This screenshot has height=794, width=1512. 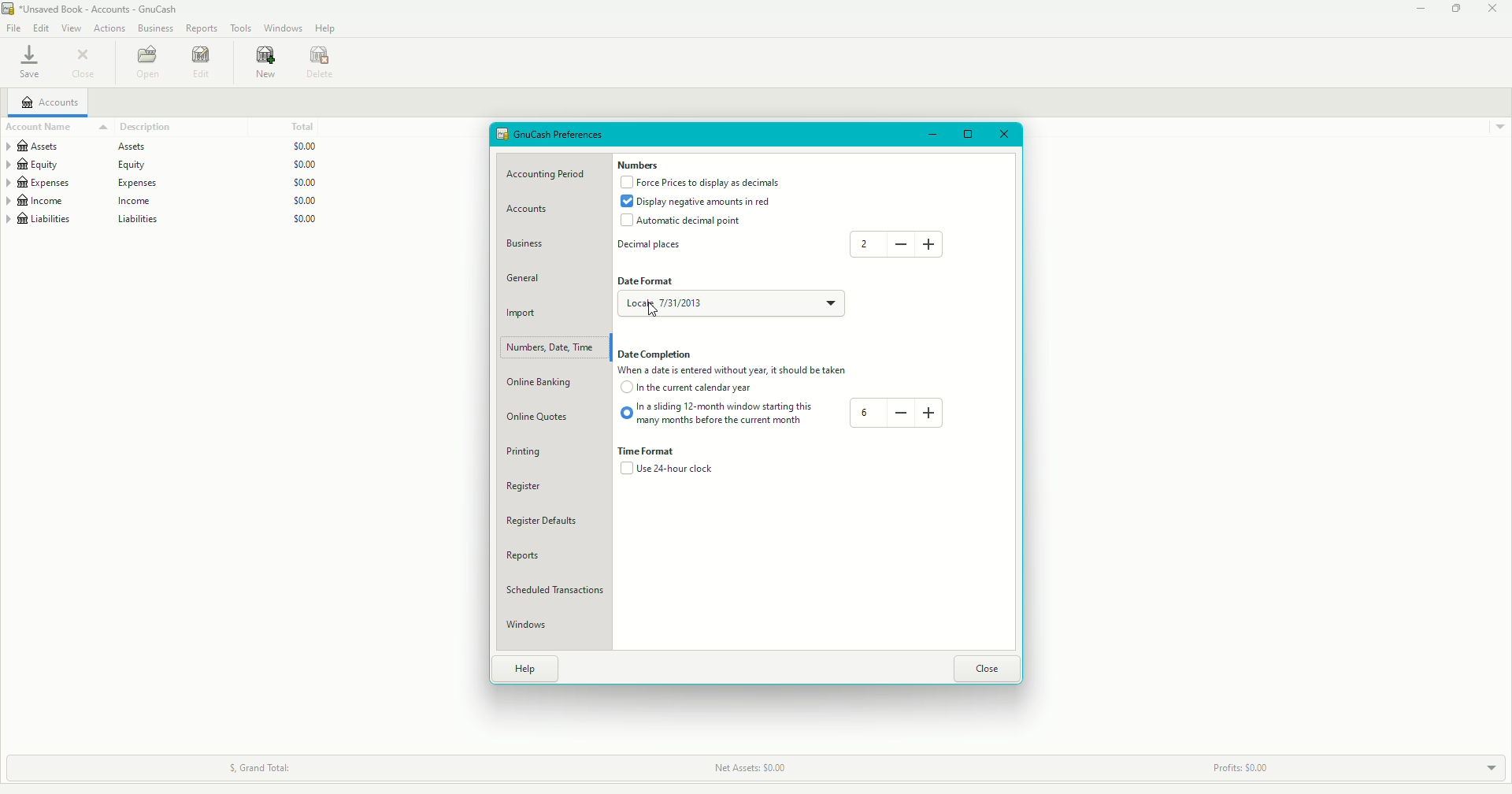 What do you see at coordinates (533, 626) in the screenshot?
I see `Windows` at bounding box center [533, 626].